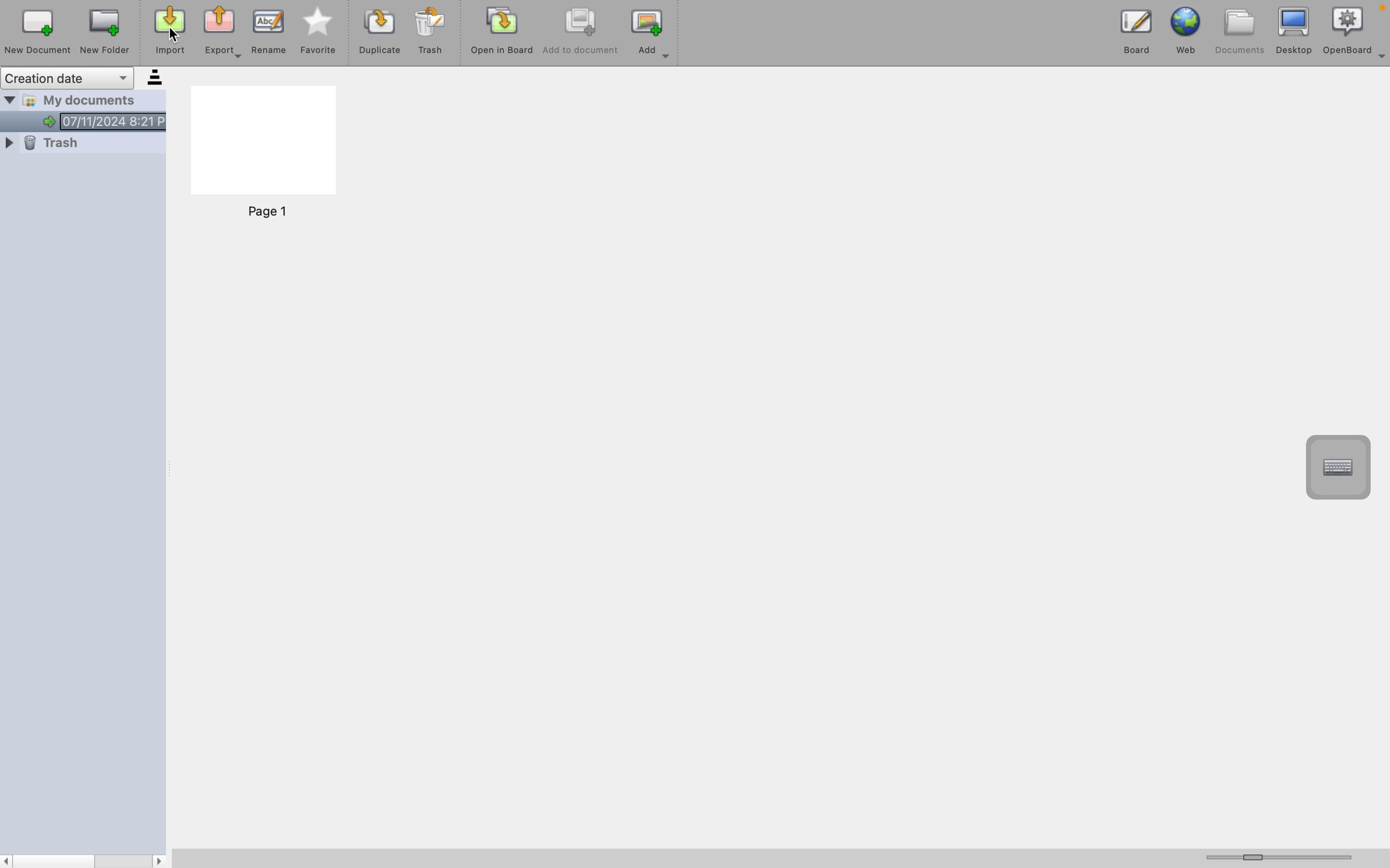 The height and width of the screenshot is (868, 1390). Describe the element at coordinates (108, 31) in the screenshot. I see `new folder` at that location.